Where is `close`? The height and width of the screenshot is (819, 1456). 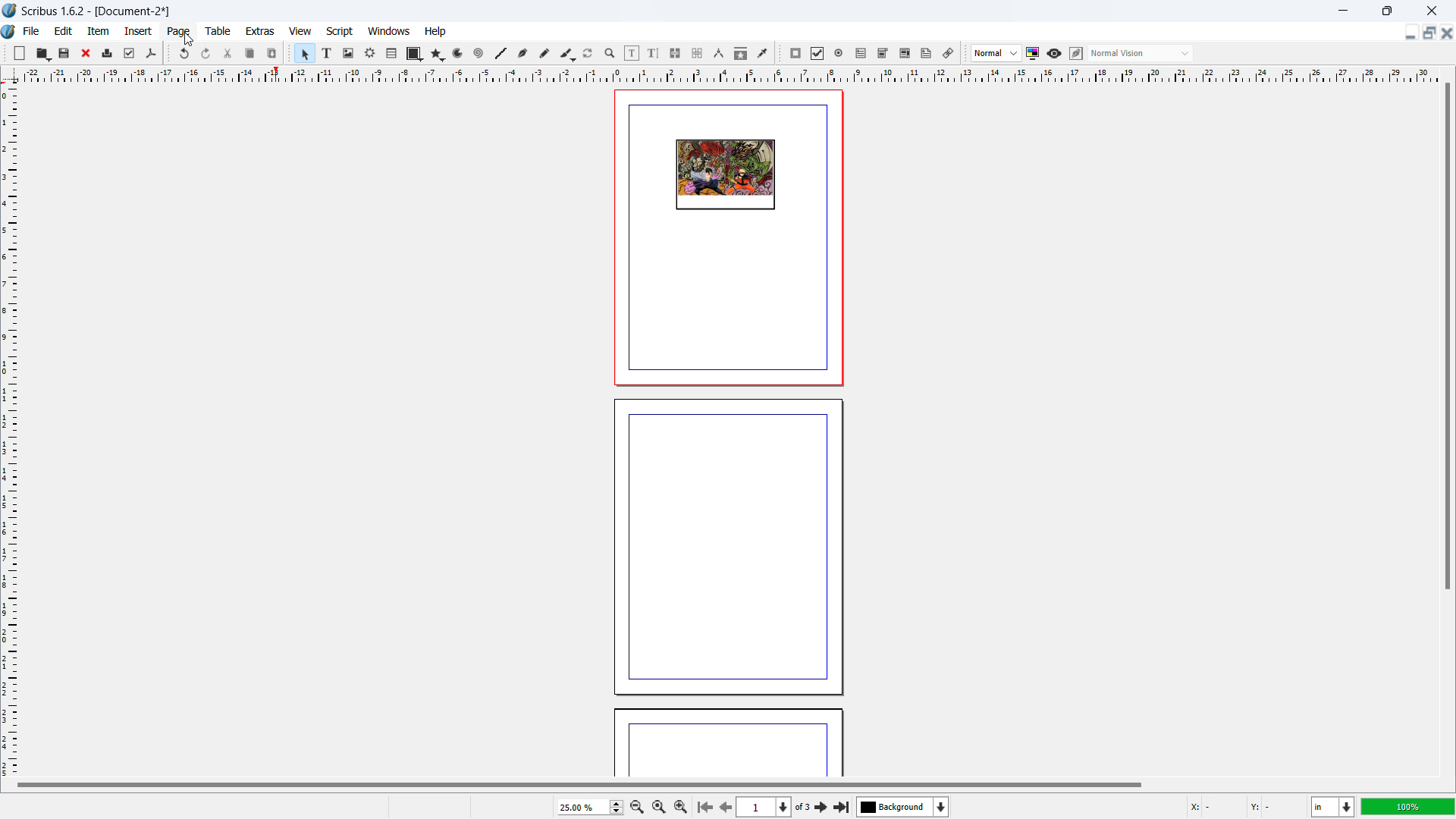
close is located at coordinates (87, 53).